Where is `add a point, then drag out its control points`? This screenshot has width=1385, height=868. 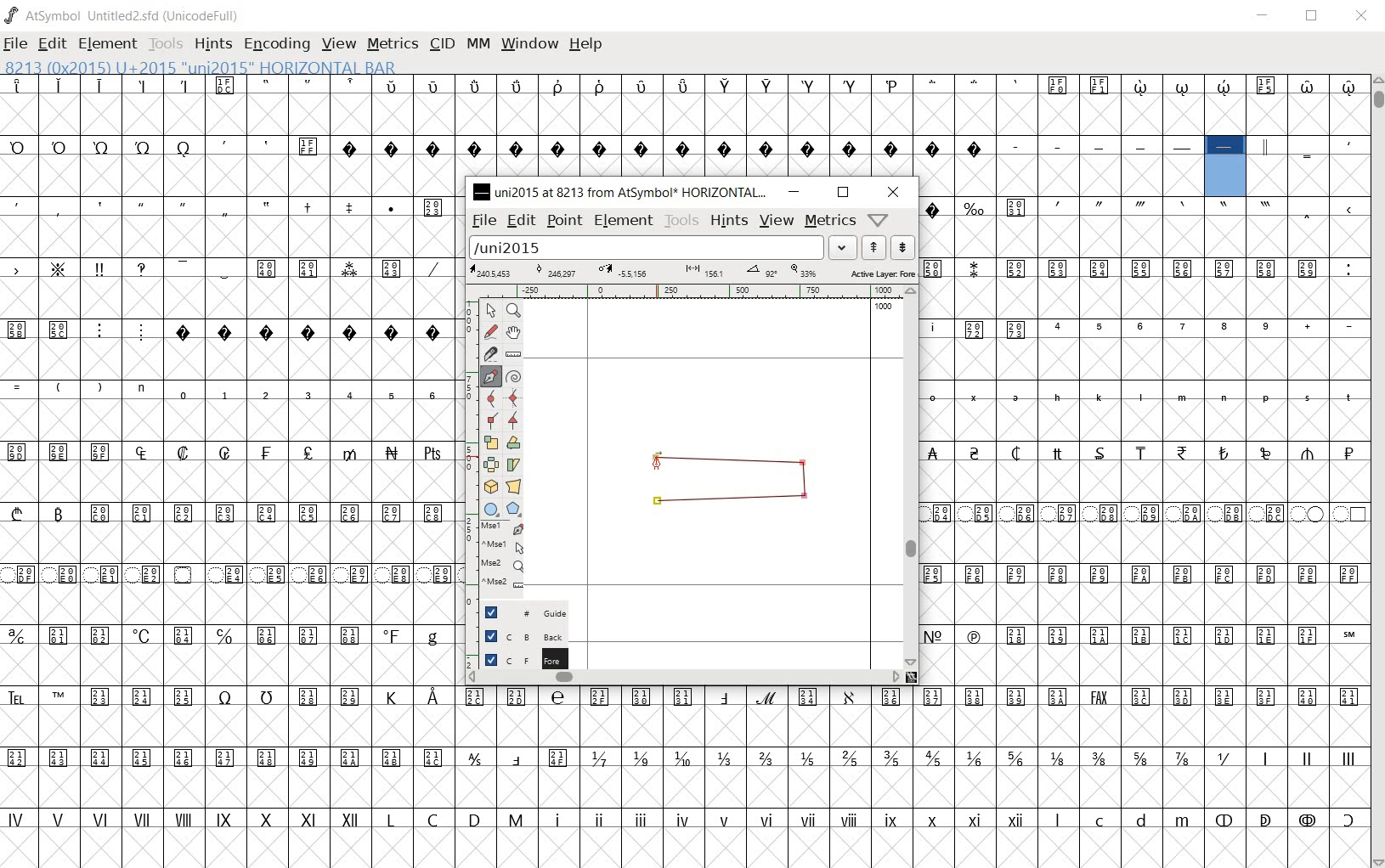
add a point, then drag out its control points is located at coordinates (488, 375).